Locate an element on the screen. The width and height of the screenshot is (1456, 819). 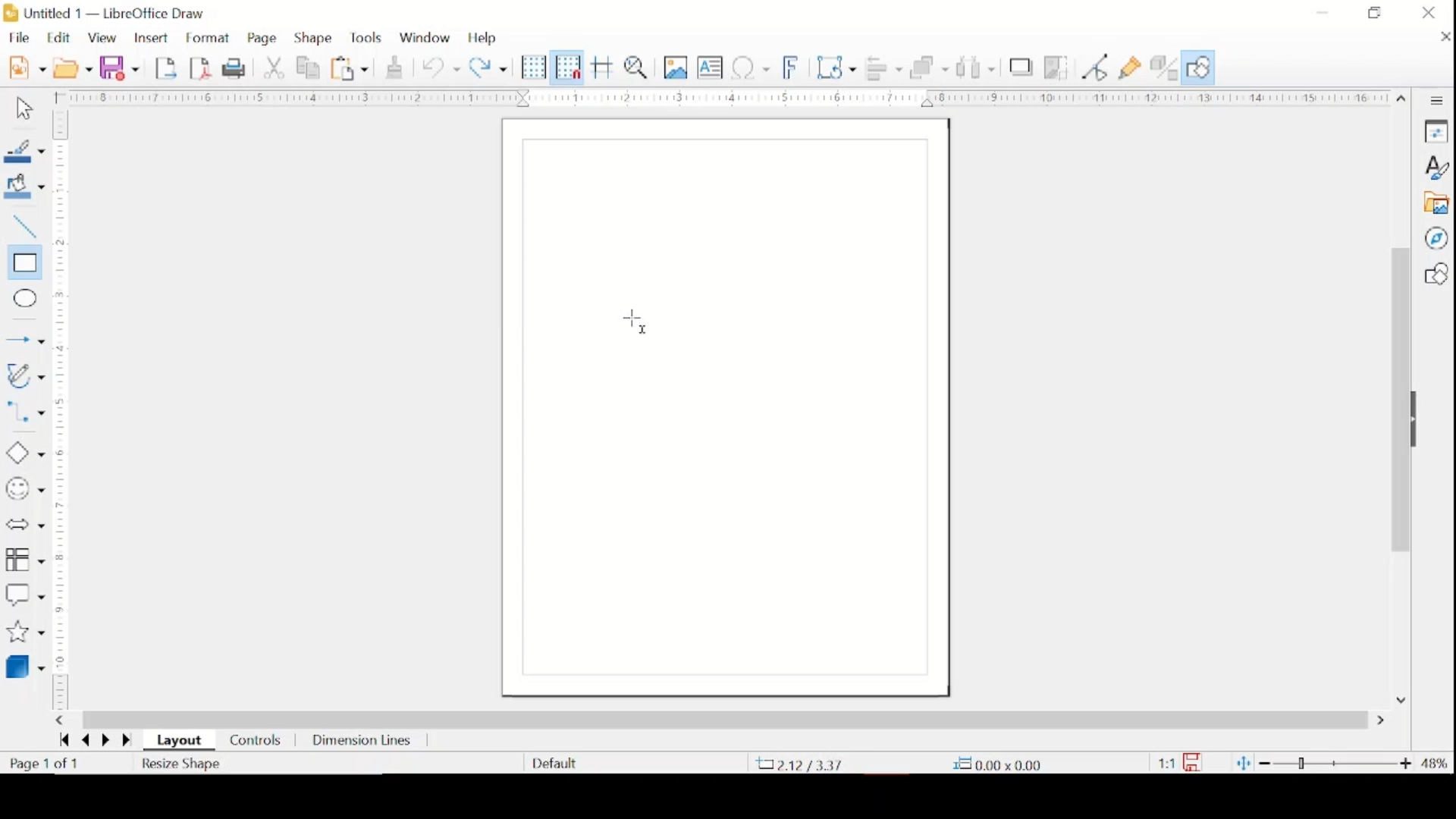
help is located at coordinates (484, 38).